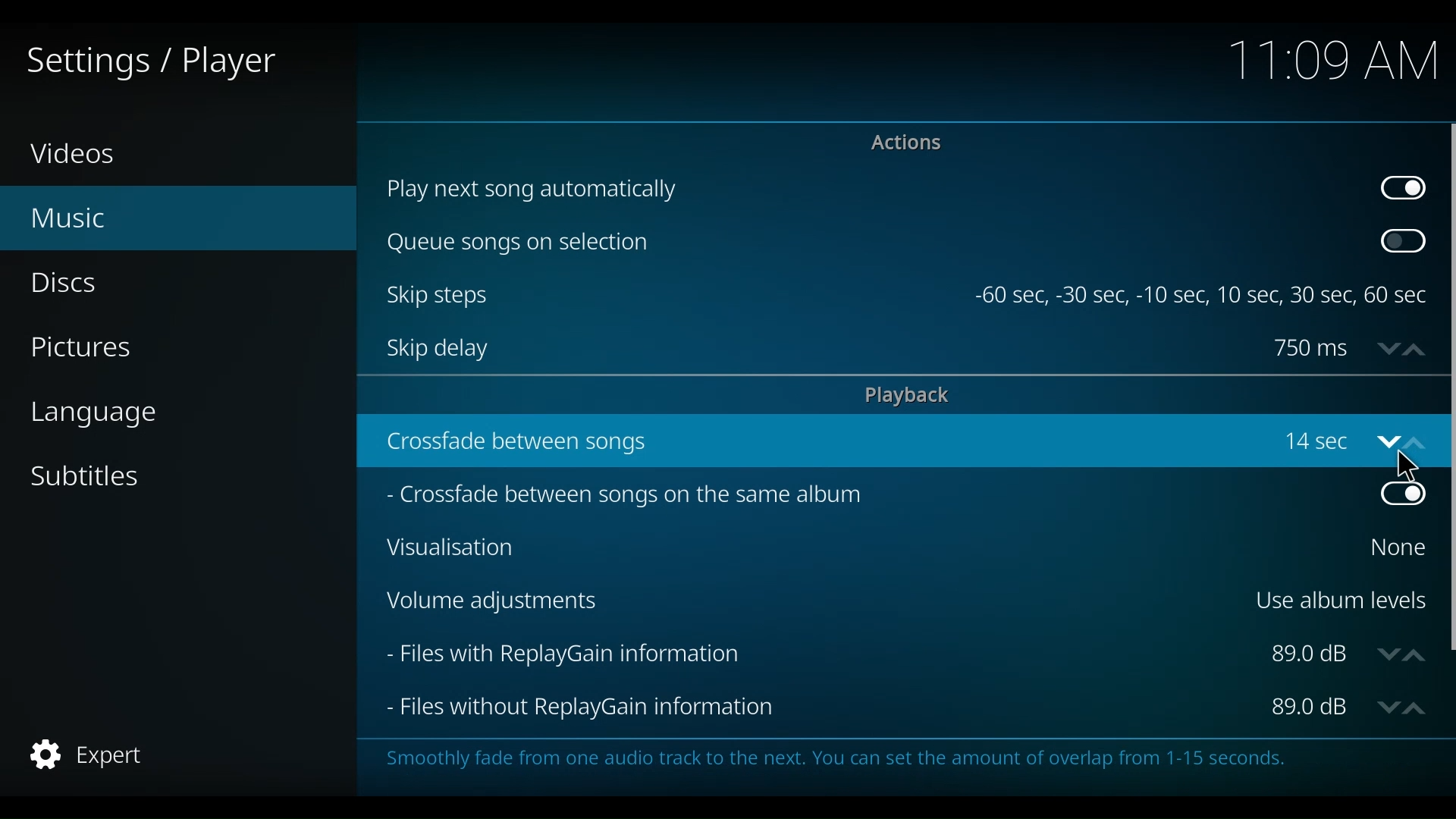 The height and width of the screenshot is (819, 1456). I want to click on Subtitles, so click(93, 479).